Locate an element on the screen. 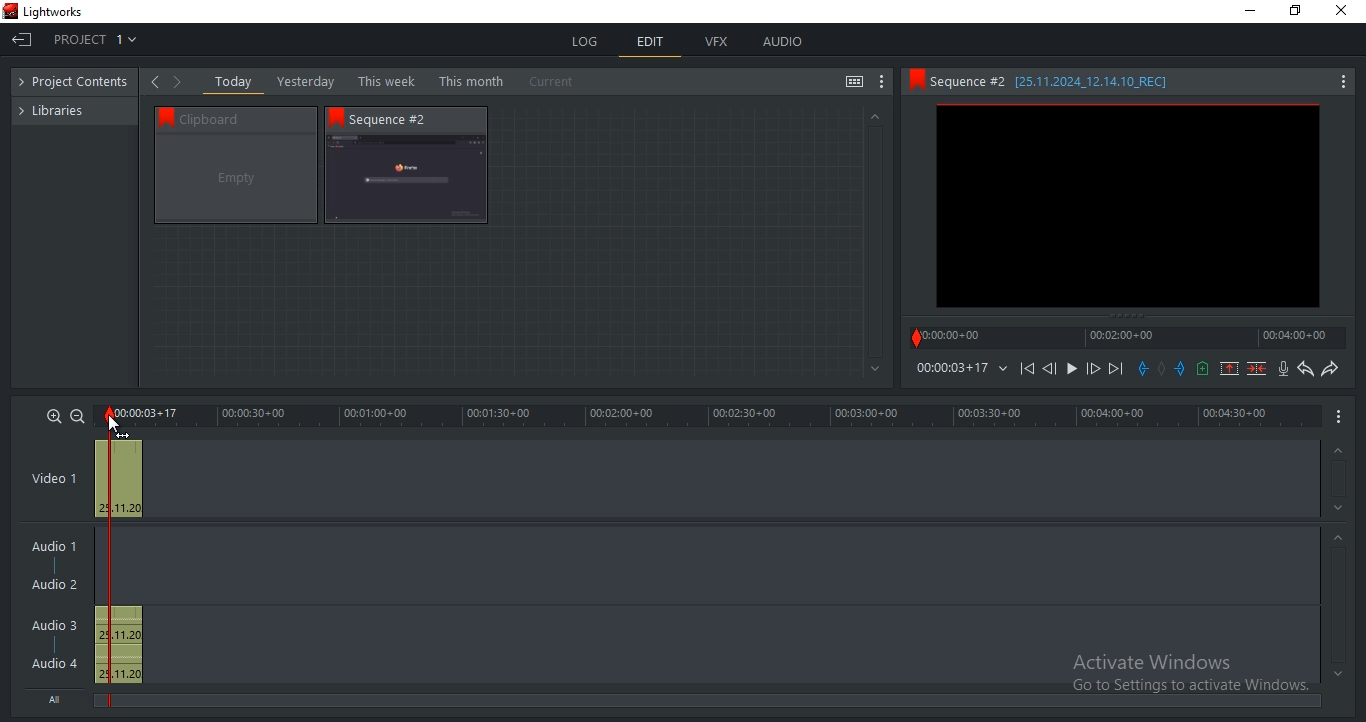 The image size is (1366, 722). Play is located at coordinates (1072, 369).